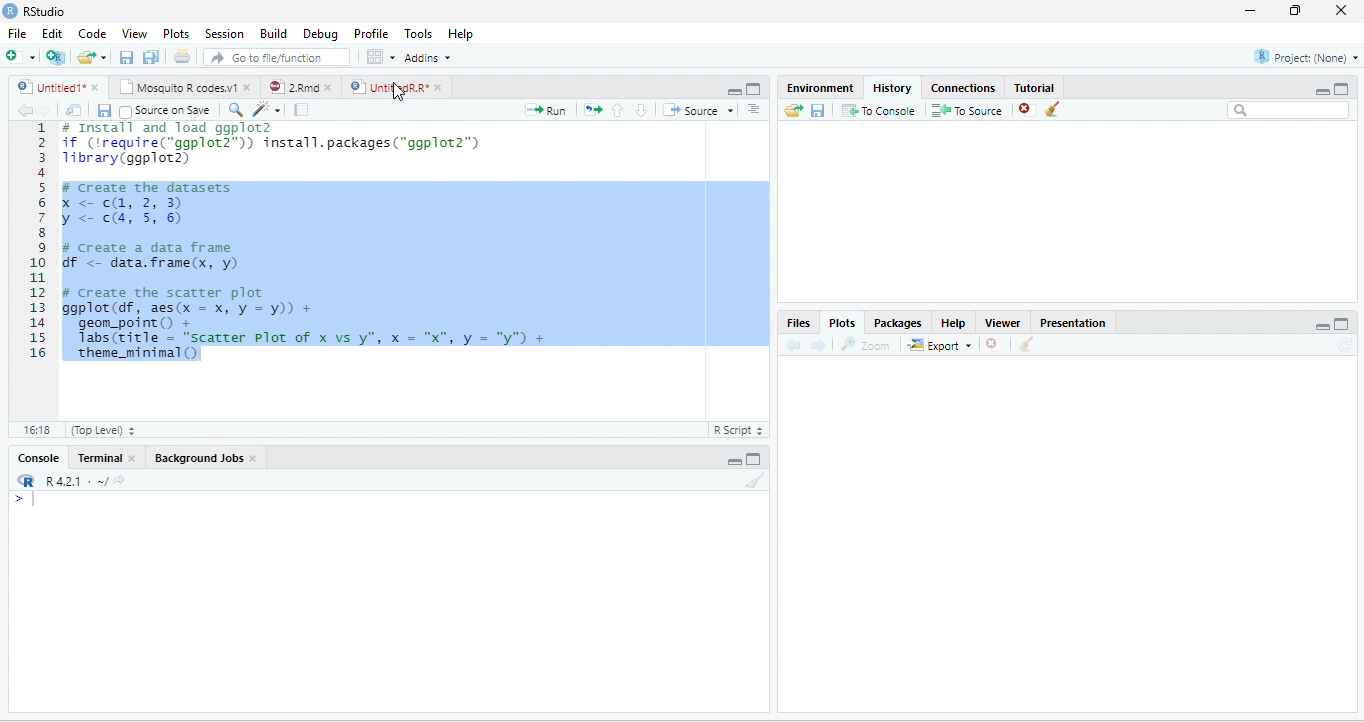  What do you see at coordinates (131, 458) in the screenshot?
I see `close` at bounding box center [131, 458].